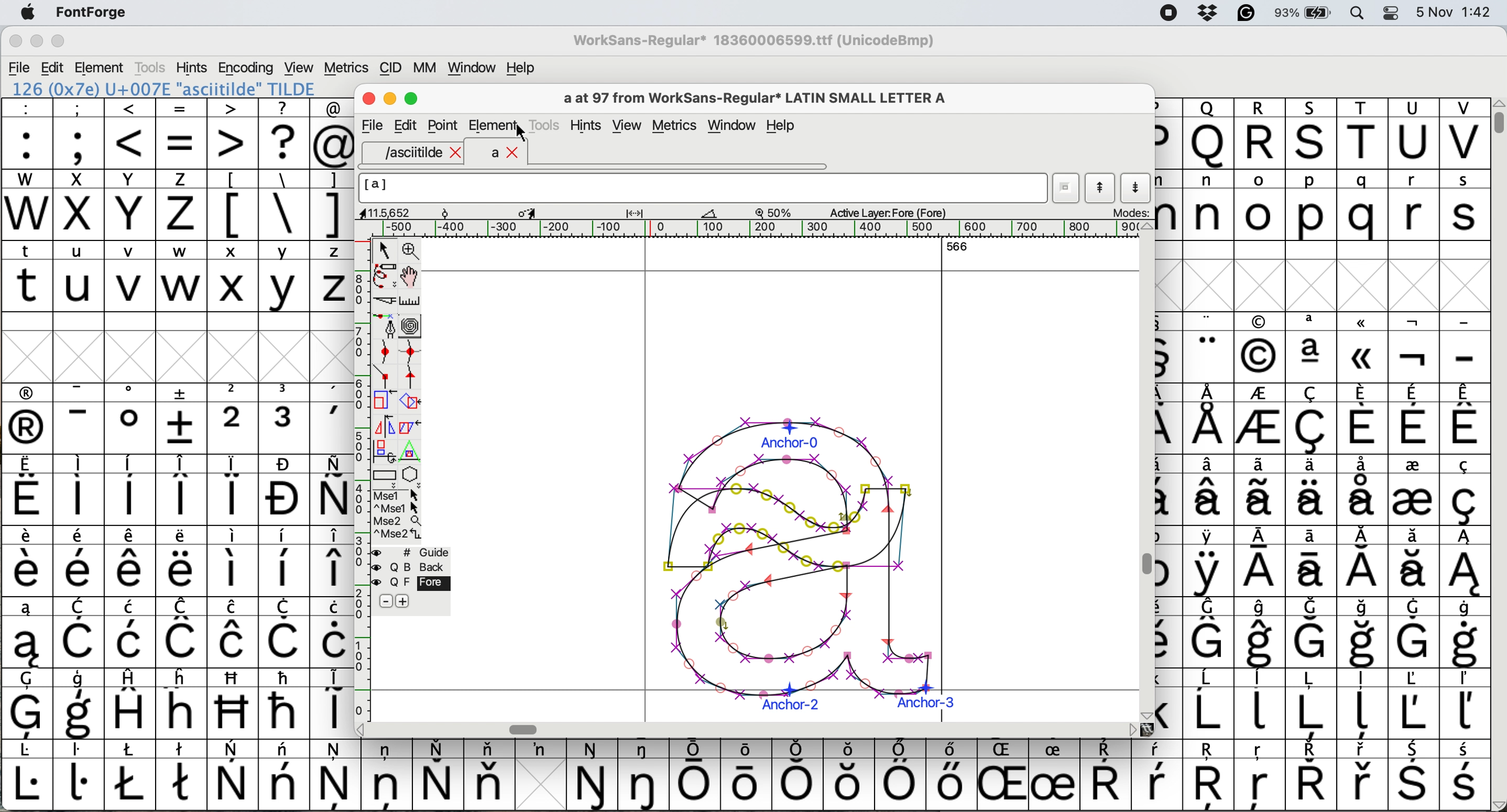 The width and height of the screenshot is (1507, 812). Describe the element at coordinates (1312, 562) in the screenshot. I see `symbol` at that location.